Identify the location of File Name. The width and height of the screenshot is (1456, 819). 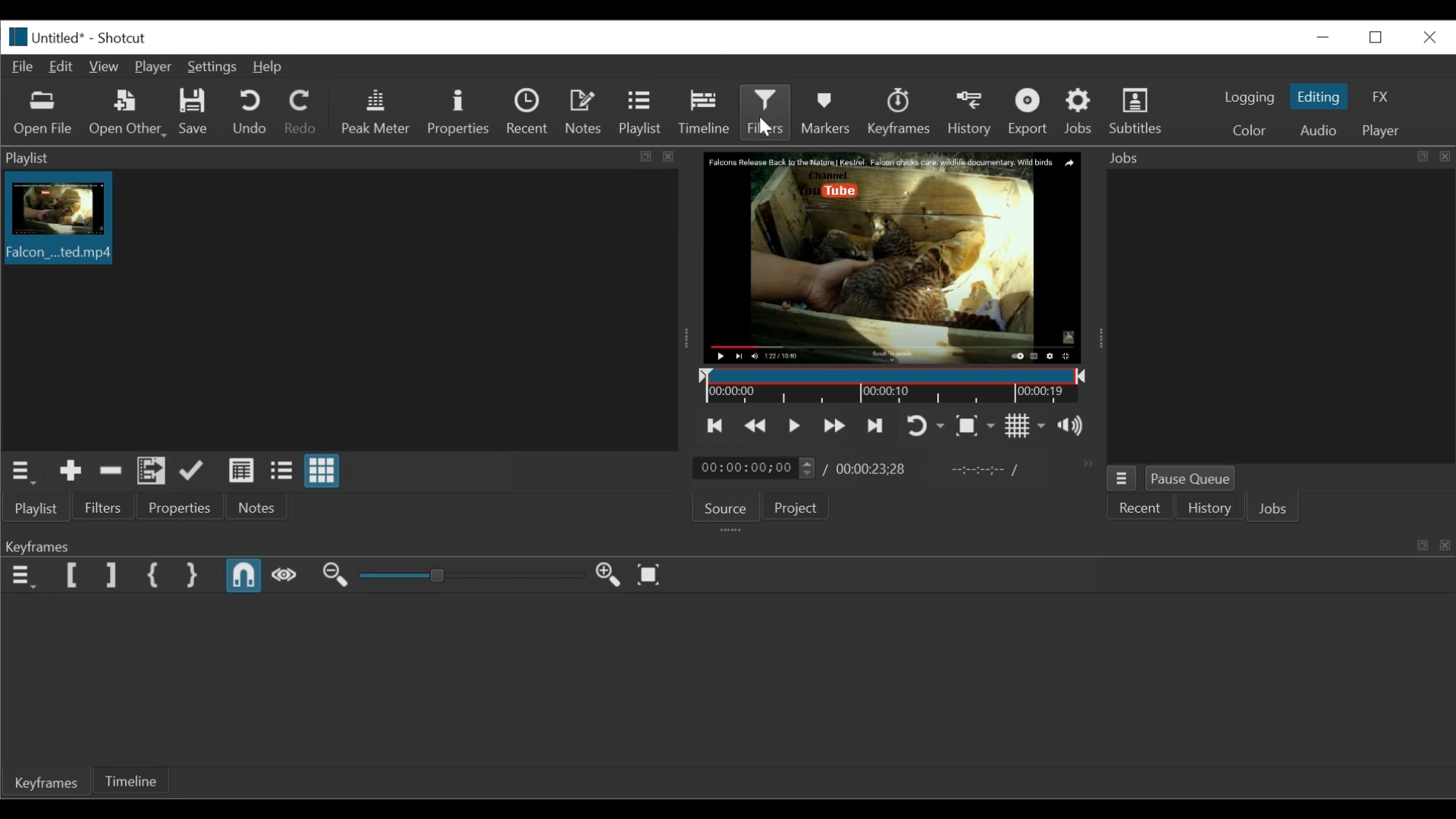
(44, 37).